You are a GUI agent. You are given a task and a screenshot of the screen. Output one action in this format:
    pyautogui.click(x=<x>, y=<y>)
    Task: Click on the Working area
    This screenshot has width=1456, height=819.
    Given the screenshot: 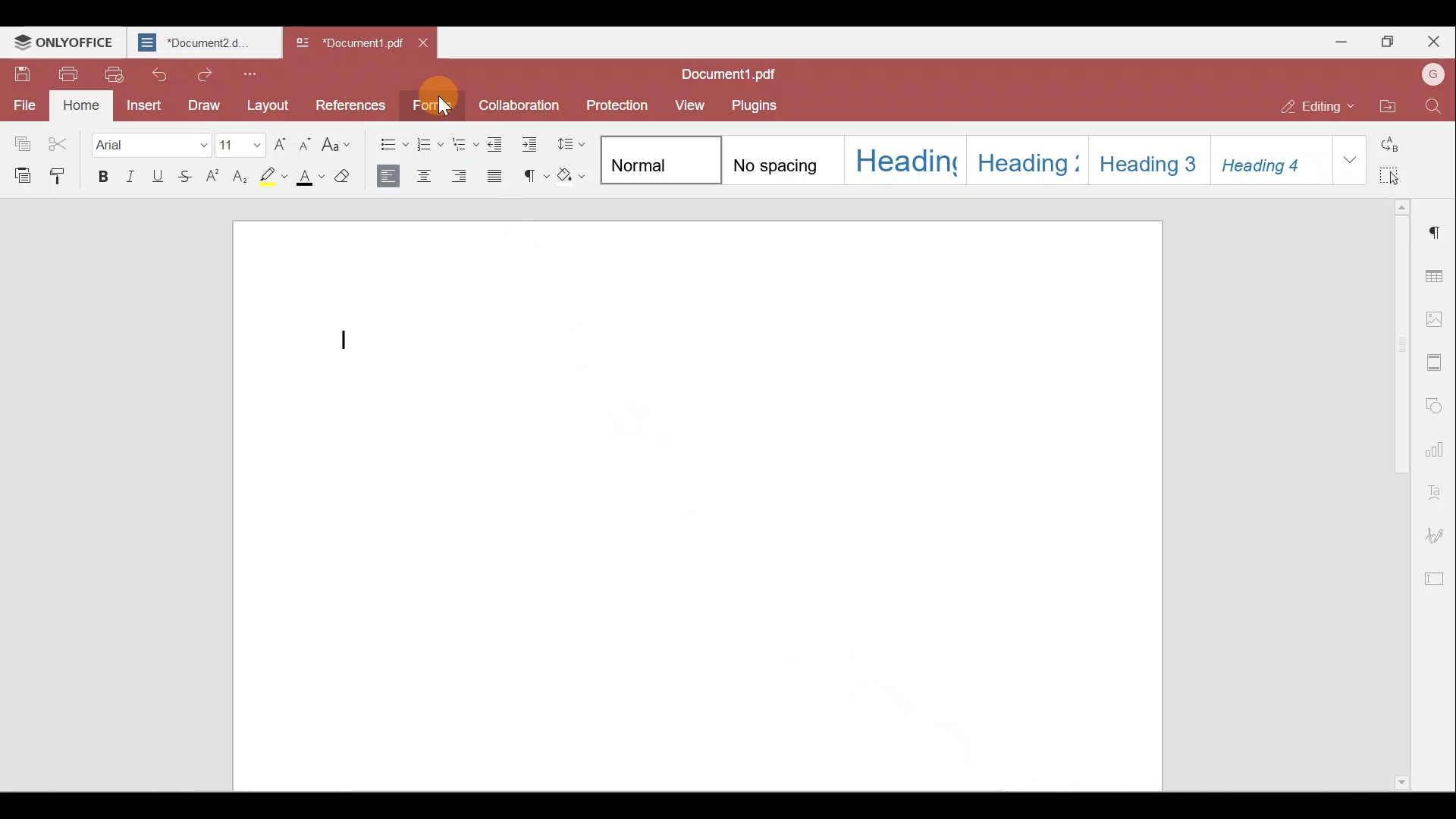 What is the action you would take?
    pyautogui.click(x=700, y=498)
    